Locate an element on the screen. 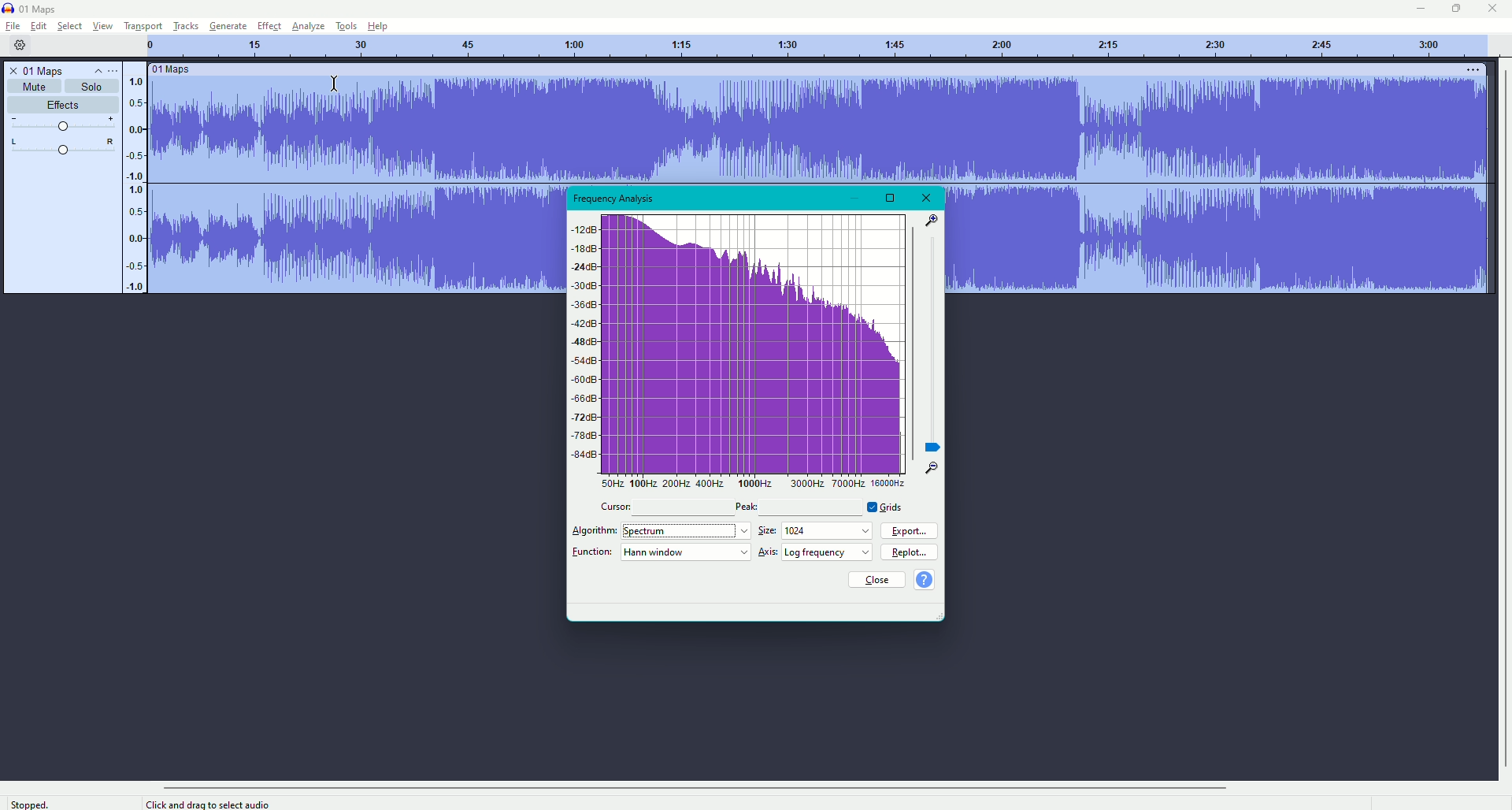  Effect is located at coordinates (265, 26).